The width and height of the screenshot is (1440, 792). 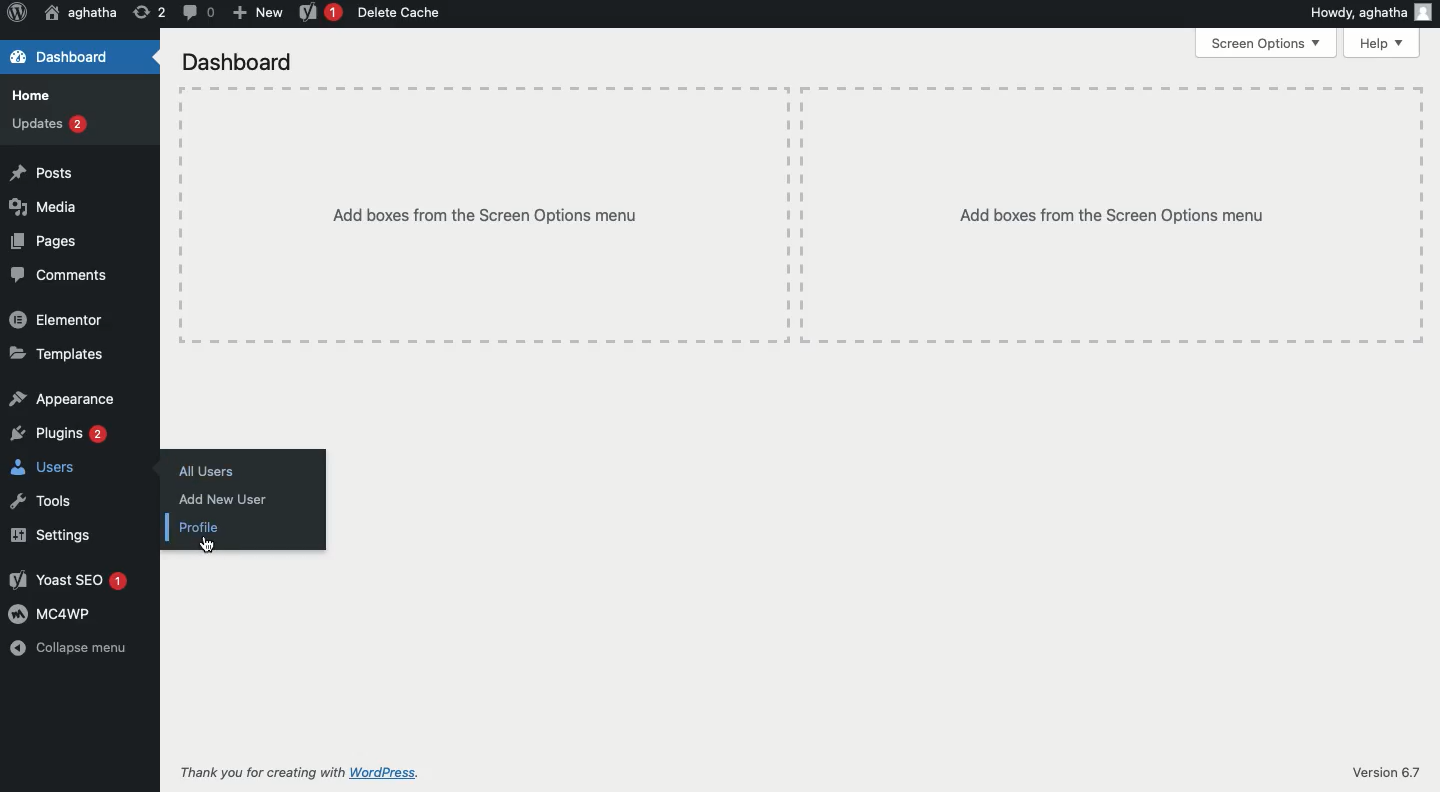 What do you see at coordinates (1383, 772) in the screenshot?
I see `Version 6.7` at bounding box center [1383, 772].